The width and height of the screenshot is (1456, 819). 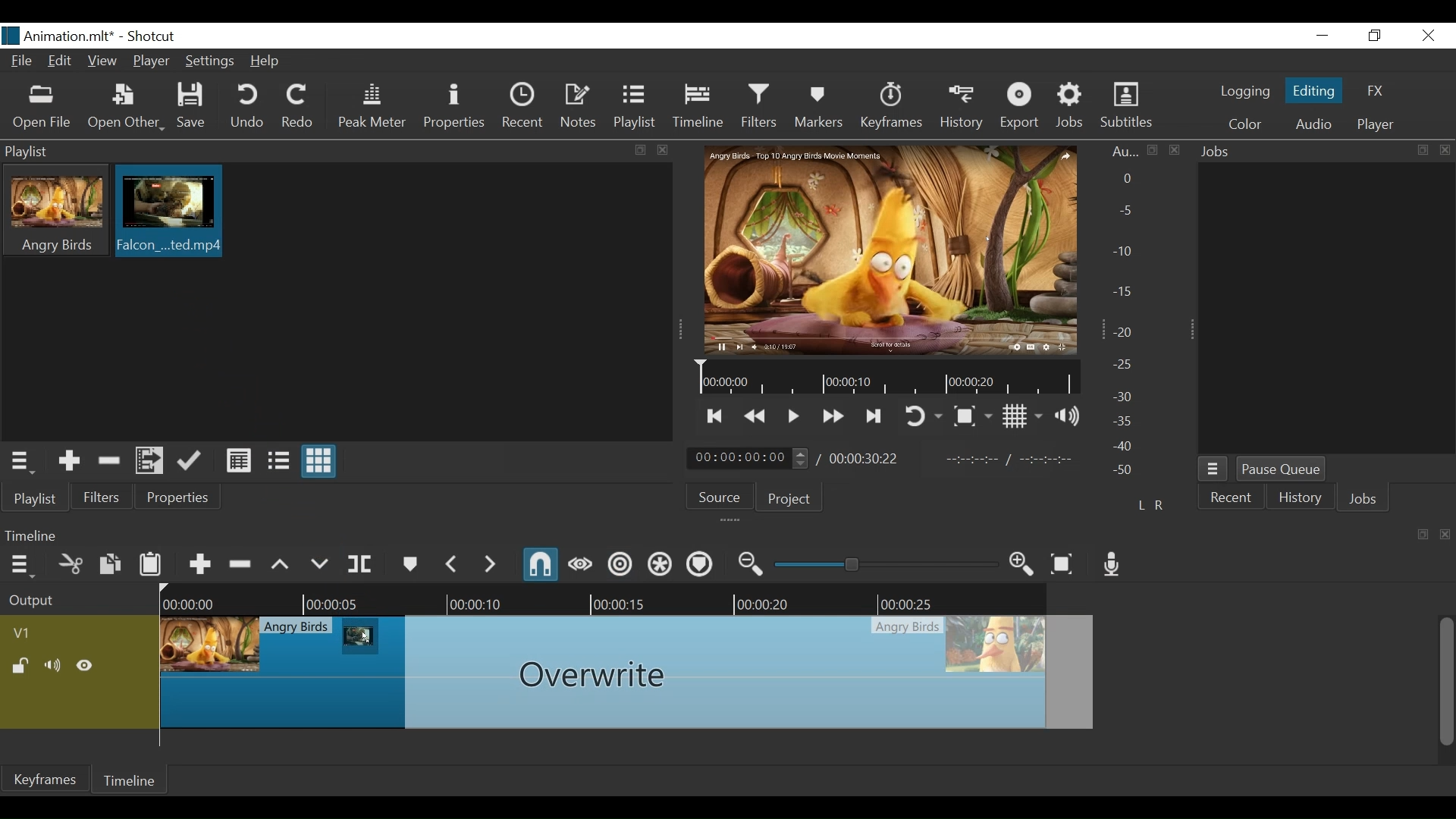 What do you see at coordinates (748, 459) in the screenshot?
I see `Current Position` at bounding box center [748, 459].